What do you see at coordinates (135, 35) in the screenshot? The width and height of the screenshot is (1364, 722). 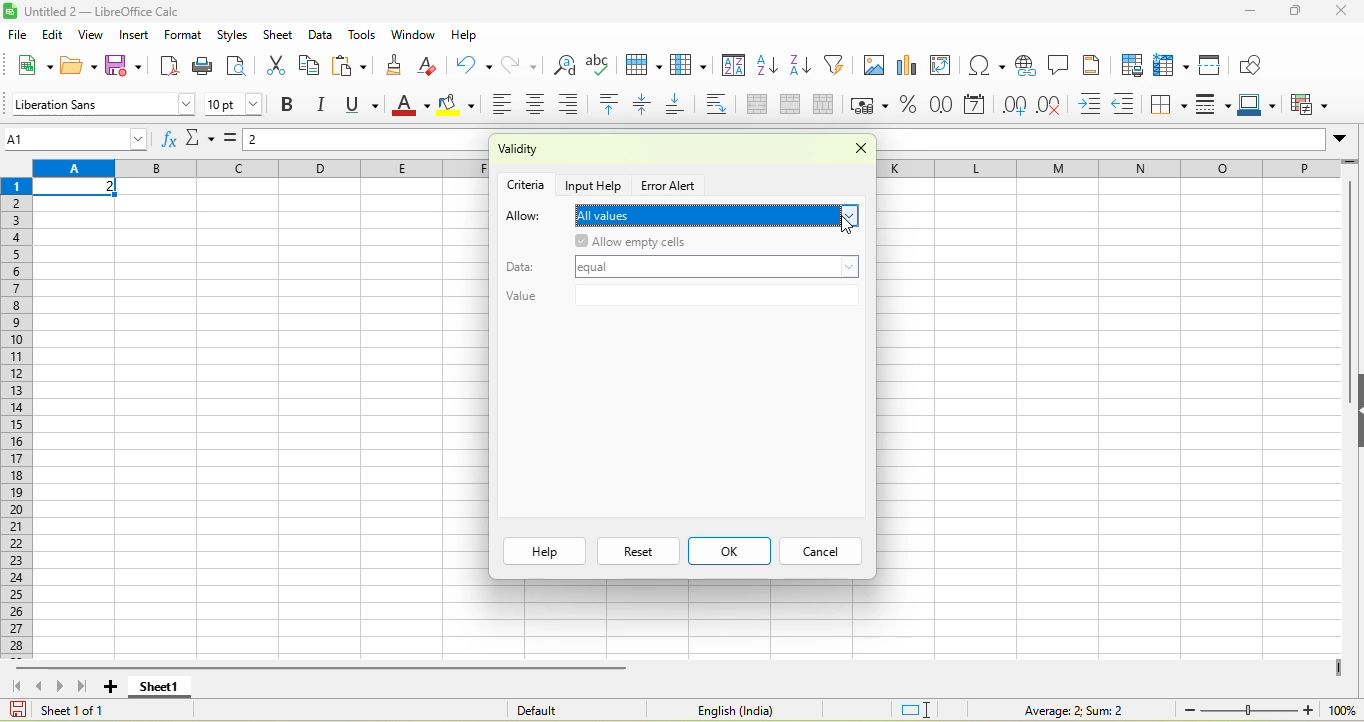 I see `insert` at bounding box center [135, 35].